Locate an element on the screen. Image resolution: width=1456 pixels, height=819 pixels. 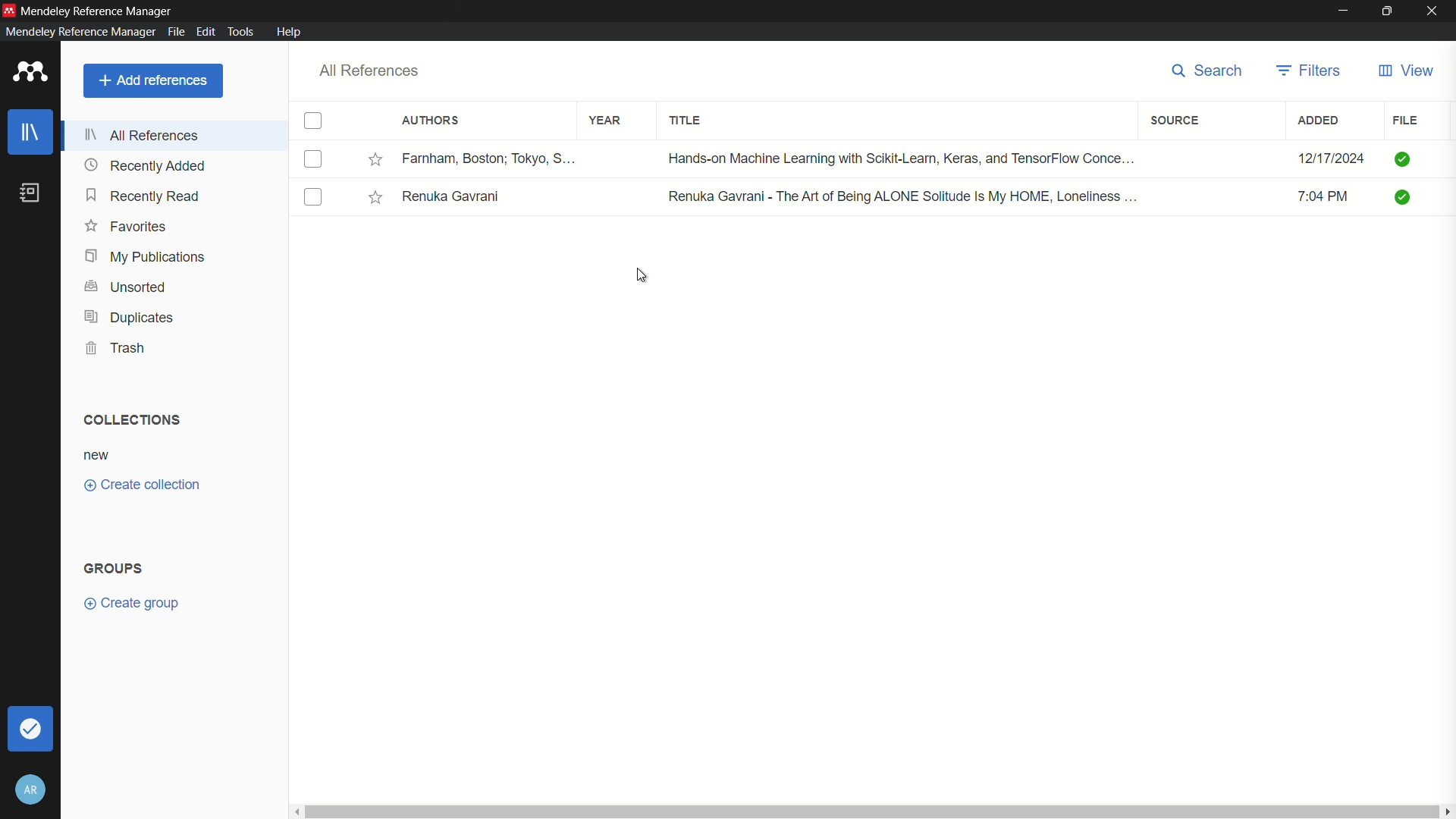
Checked is located at coordinates (1403, 197).